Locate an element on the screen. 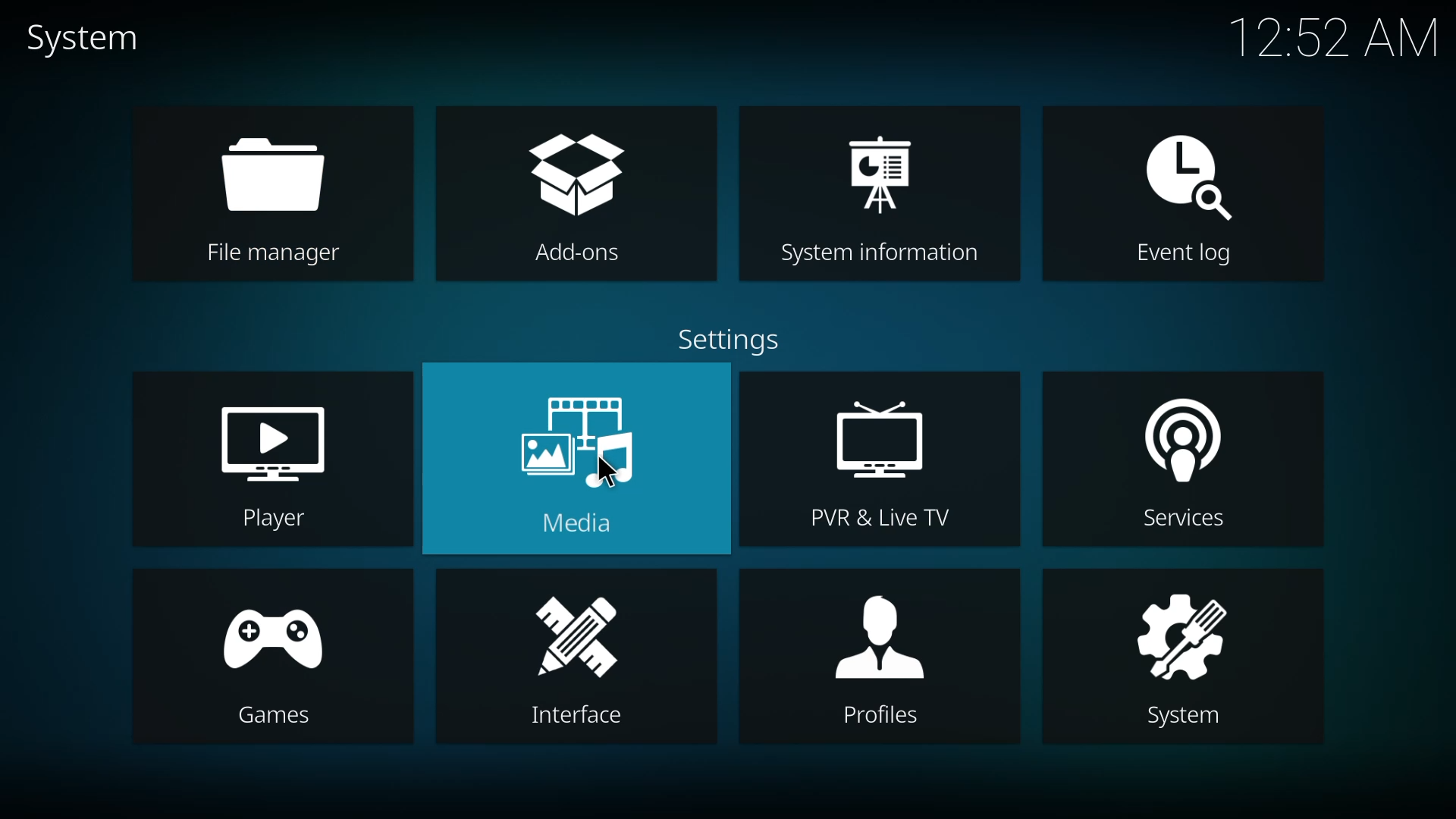 This screenshot has width=1456, height=819. 12:52 AM is located at coordinates (1335, 41).